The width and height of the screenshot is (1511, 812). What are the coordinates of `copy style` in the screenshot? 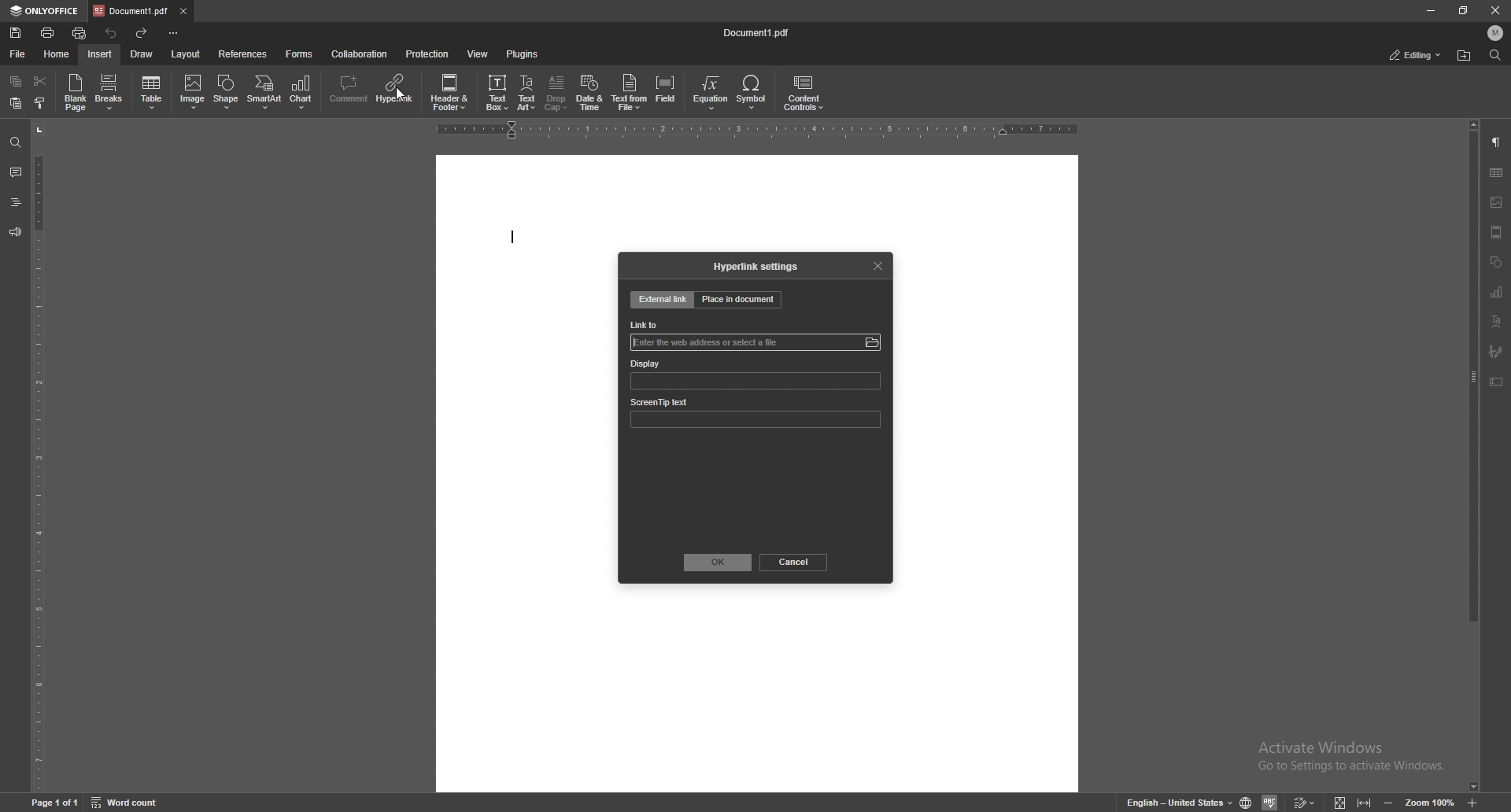 It's located at (40, 103).